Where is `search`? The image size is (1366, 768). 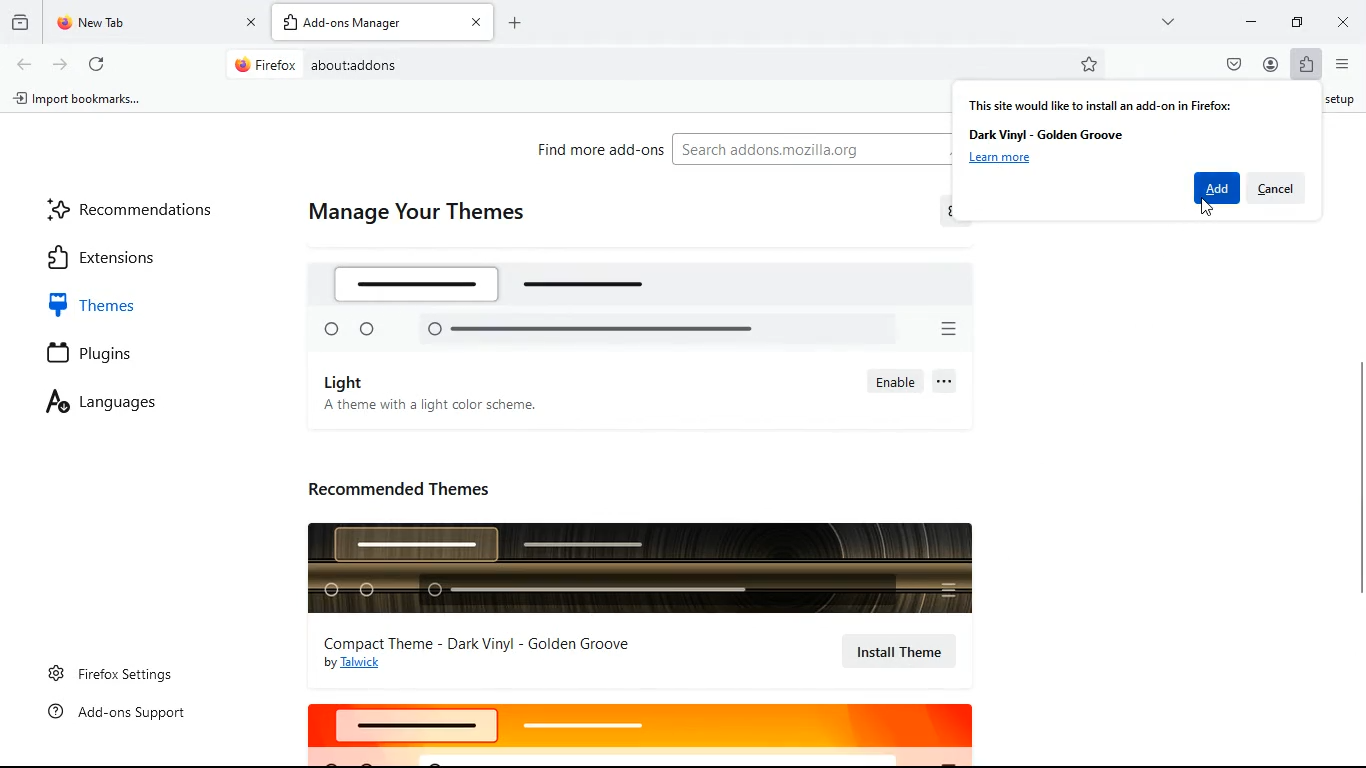
search is located at coordinates (808, 150).